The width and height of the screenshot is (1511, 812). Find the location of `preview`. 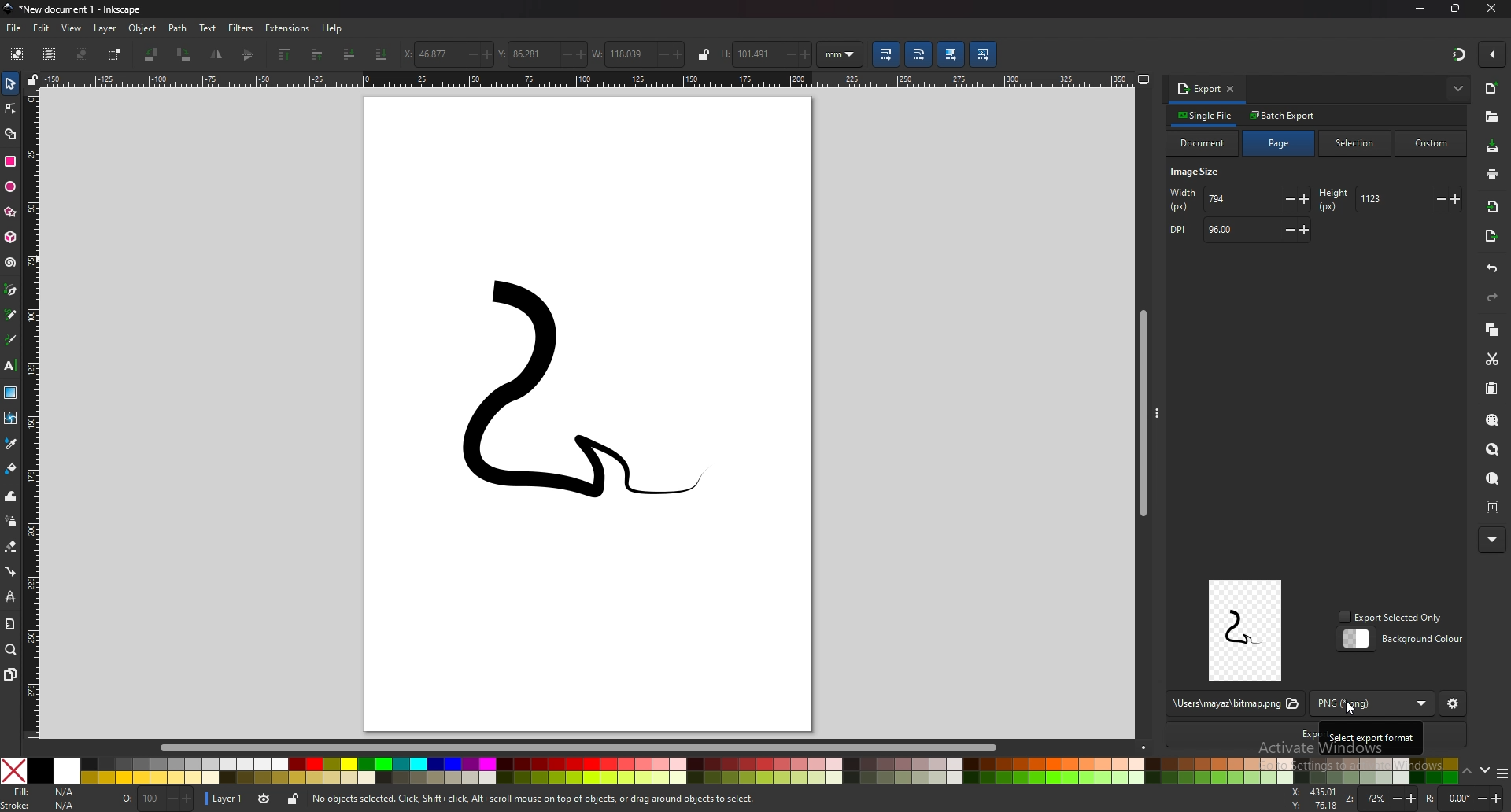

preview is located at coordinates (1246, 630).